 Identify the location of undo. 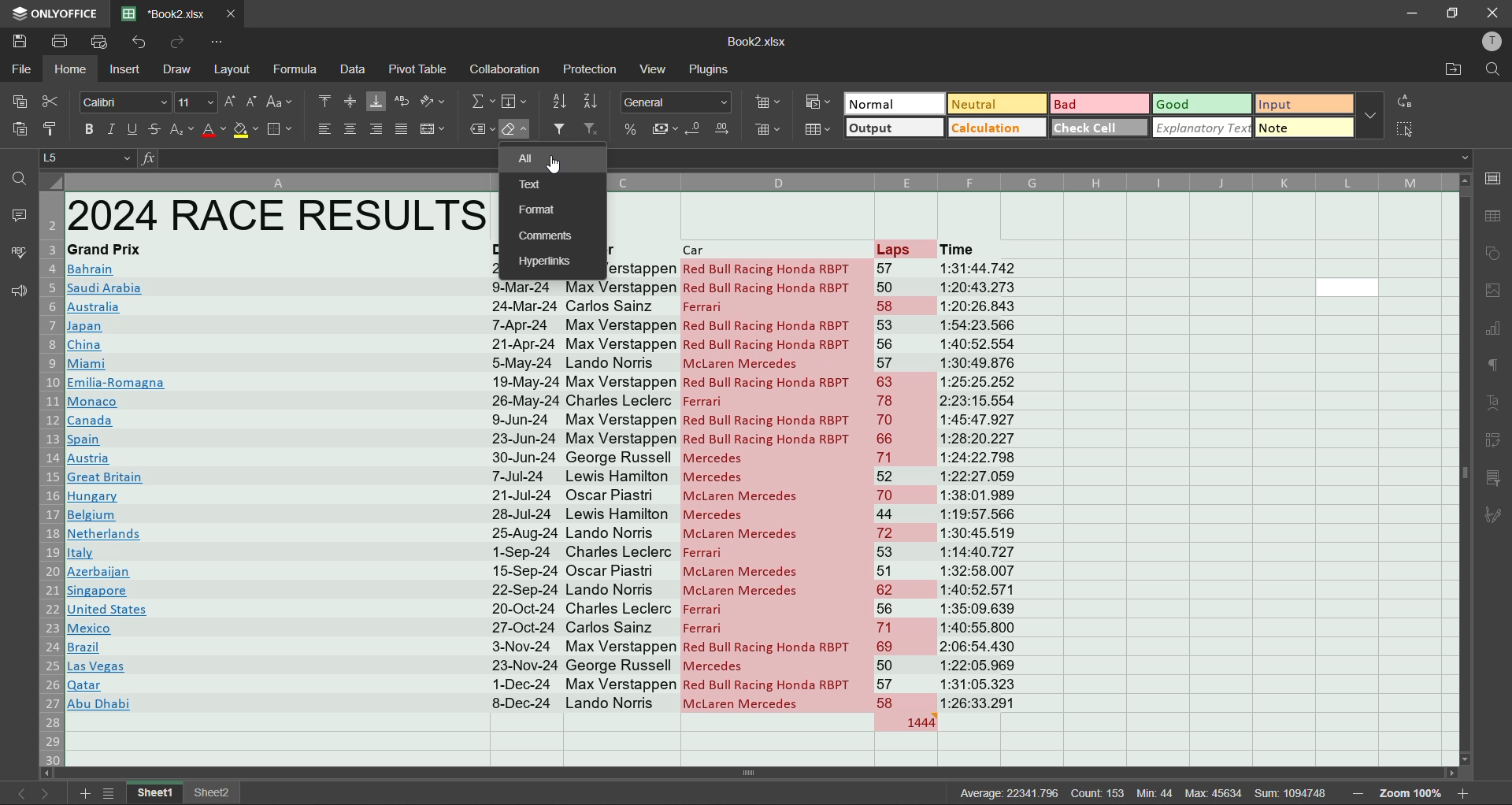
(142, 43).